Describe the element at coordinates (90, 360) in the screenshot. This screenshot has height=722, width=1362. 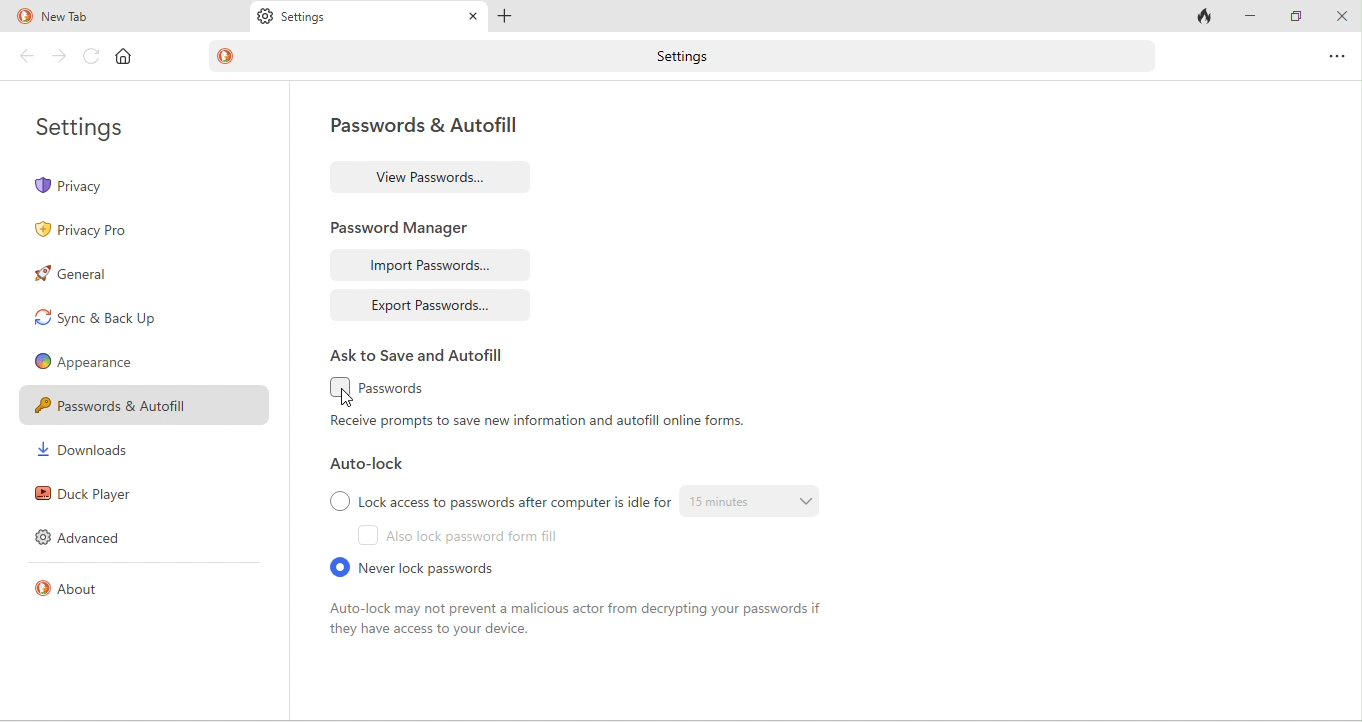
I see `appearance` at that location.